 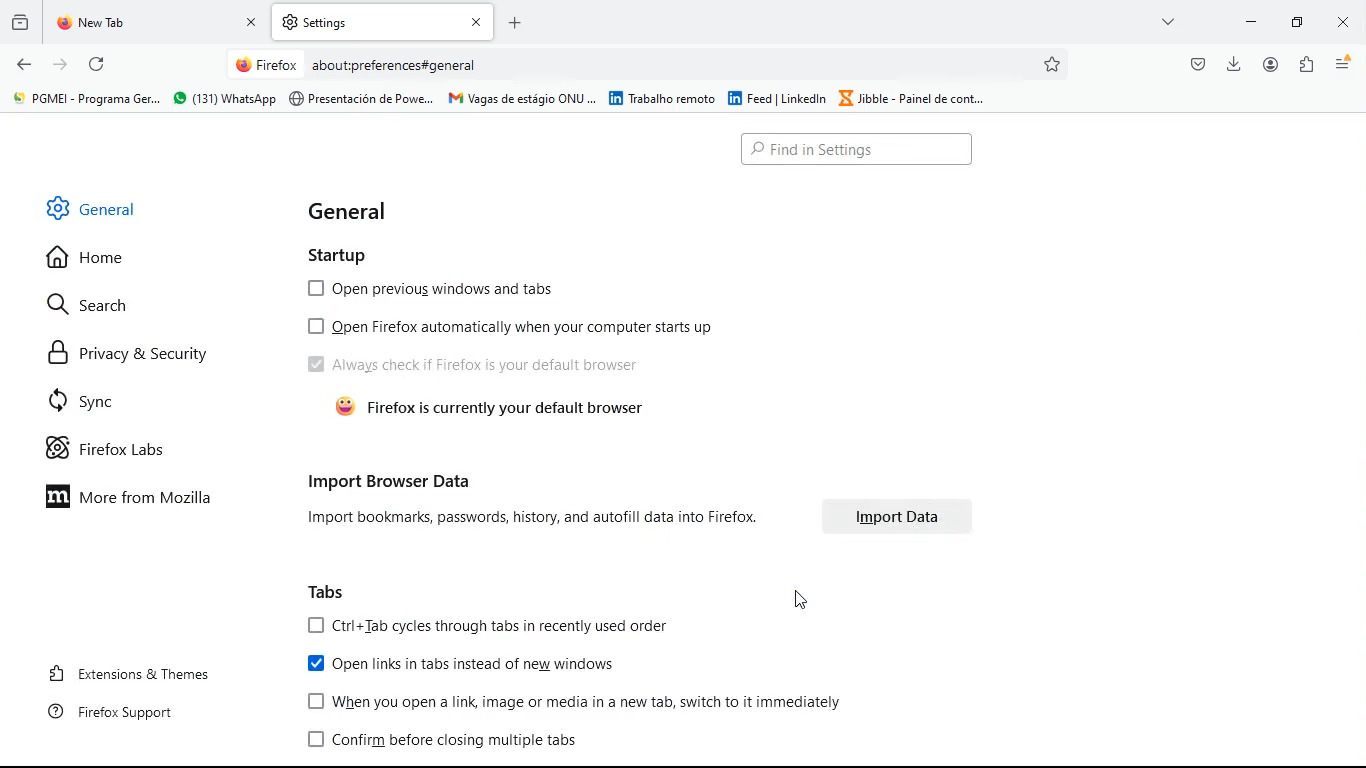 What do you see at coordinates (486, 405) in the screenshot?
I see `& Firefox is currently your default browser` at bounding box center [486, 405].